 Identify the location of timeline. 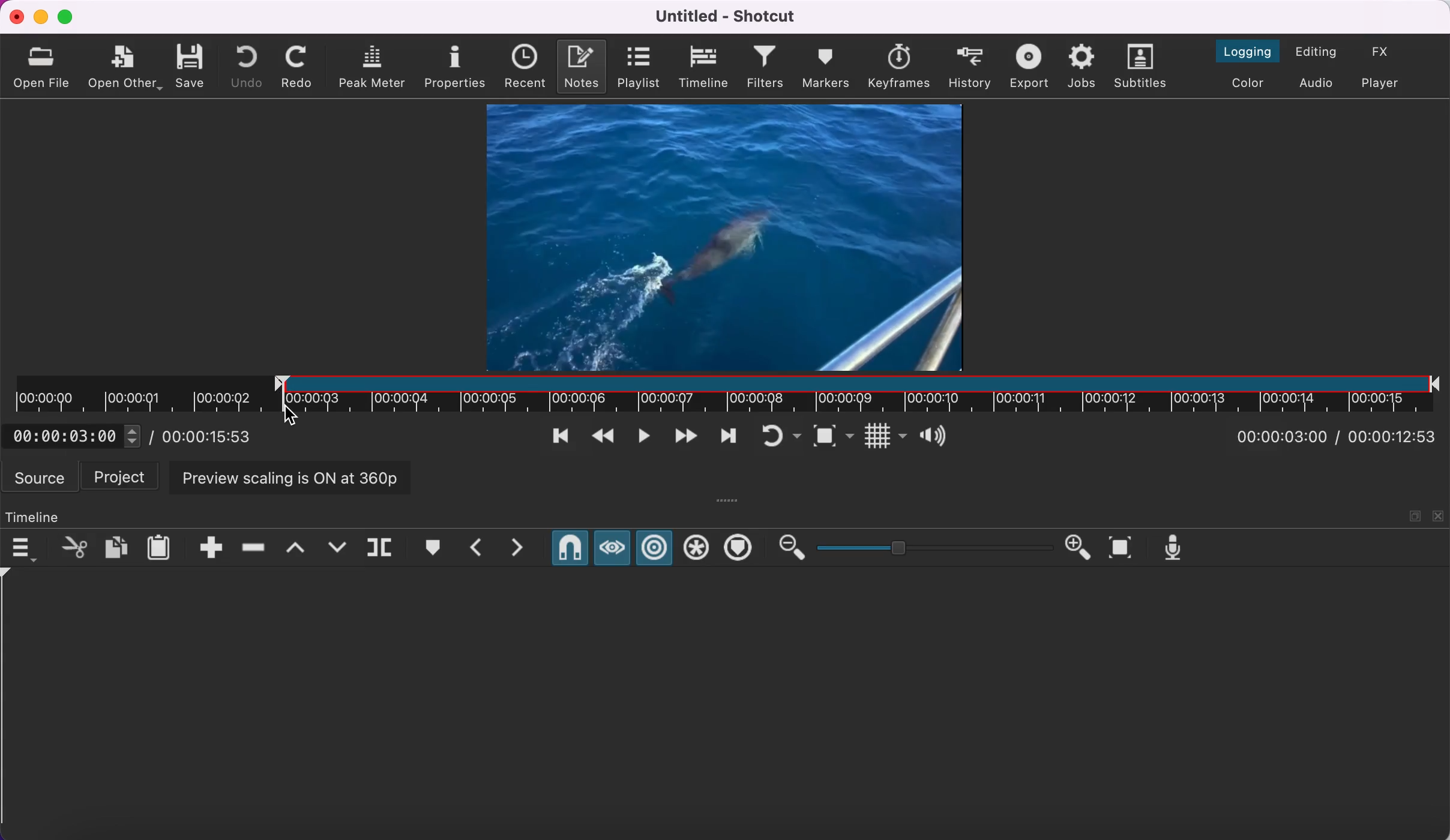
(703, 67).